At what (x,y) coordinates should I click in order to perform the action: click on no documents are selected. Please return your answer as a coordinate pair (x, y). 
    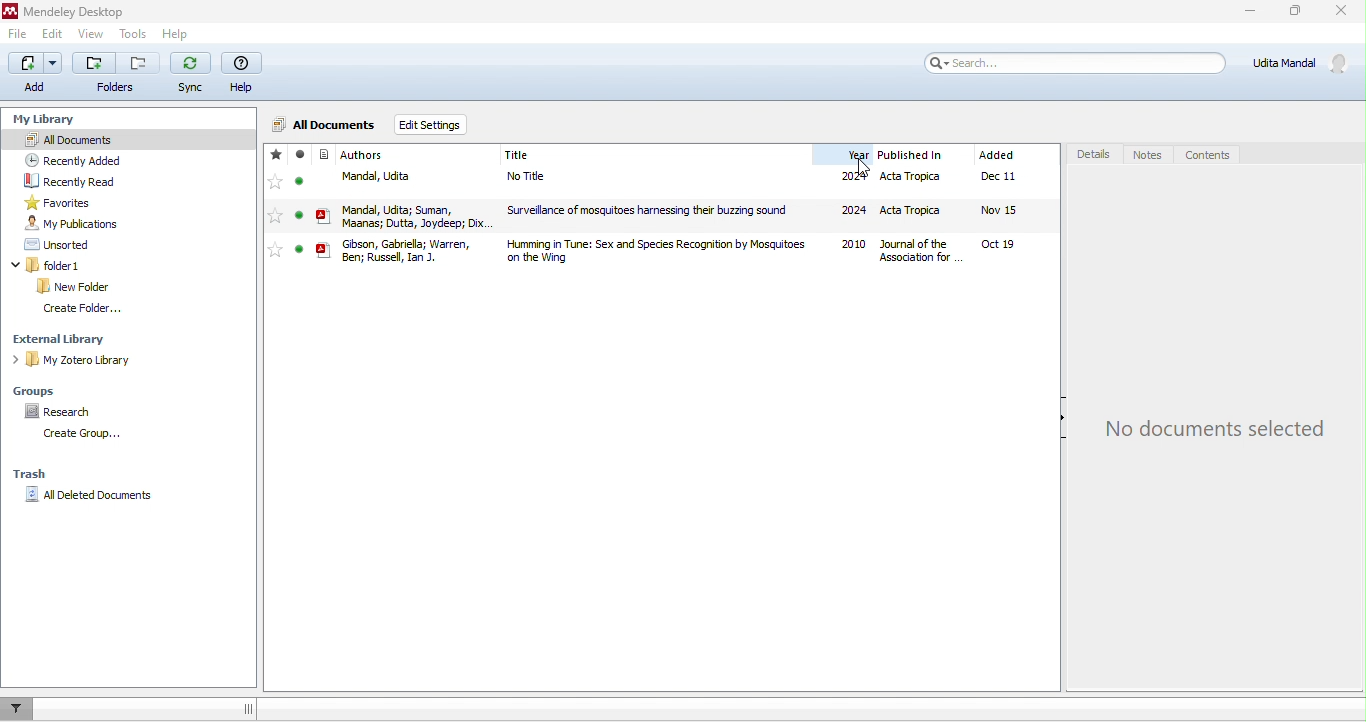
    Looking at the image, I should click on (1209, 428).